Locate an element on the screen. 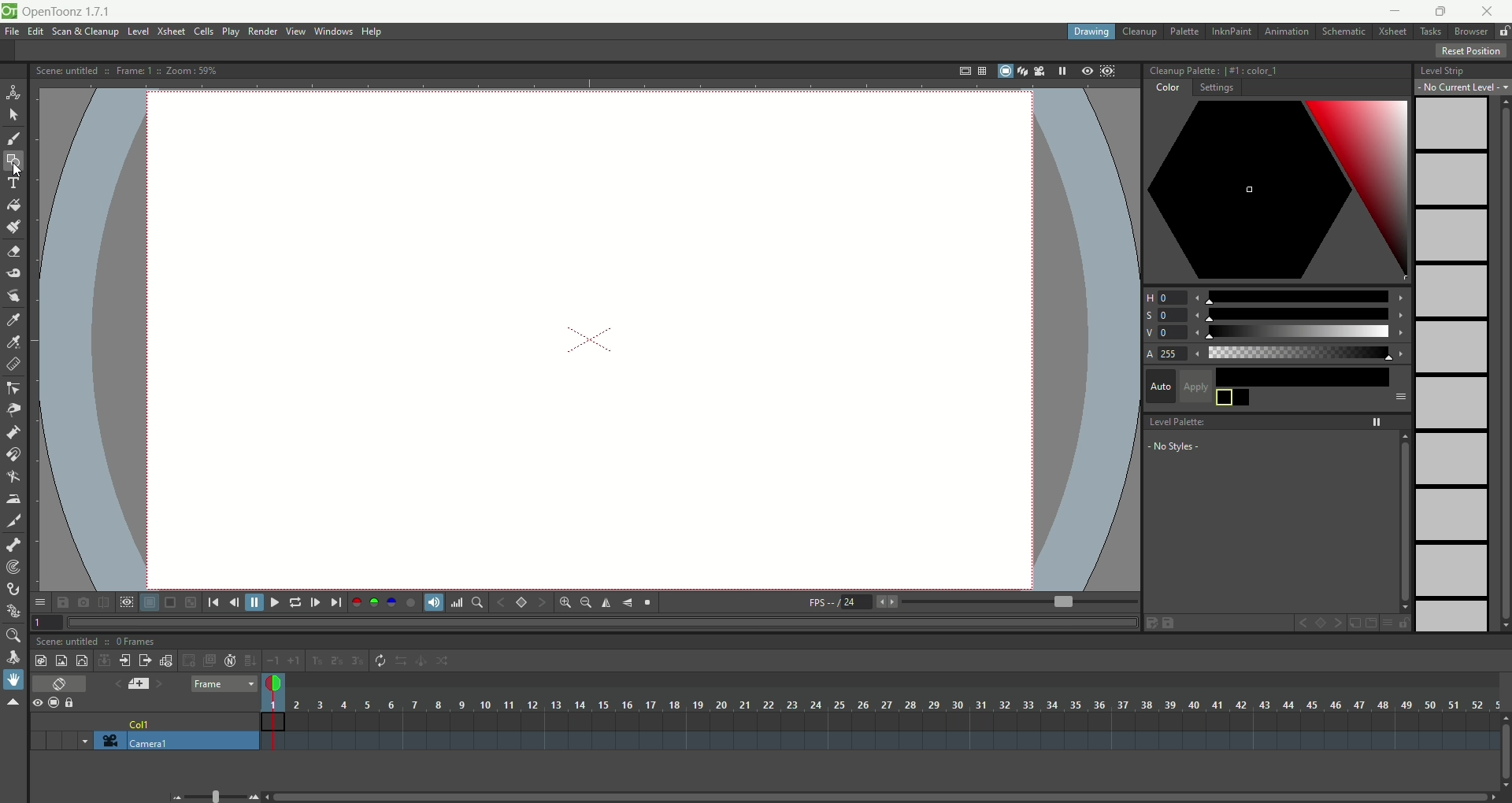 The width and height of the screenshot is (1512, 803). green channel is located at coordinates (375, 602).